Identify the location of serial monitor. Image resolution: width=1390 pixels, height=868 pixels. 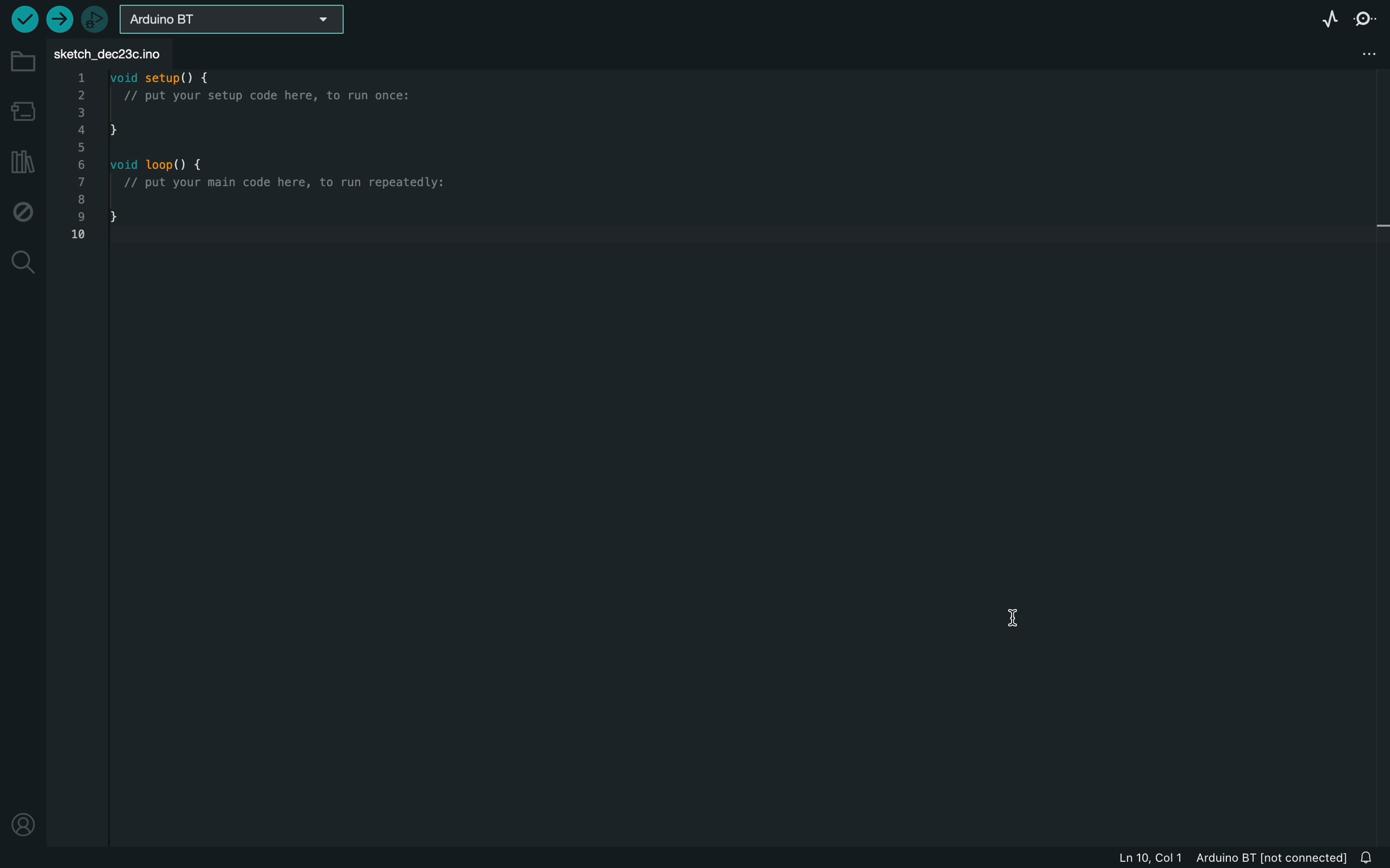
(1371, 17).